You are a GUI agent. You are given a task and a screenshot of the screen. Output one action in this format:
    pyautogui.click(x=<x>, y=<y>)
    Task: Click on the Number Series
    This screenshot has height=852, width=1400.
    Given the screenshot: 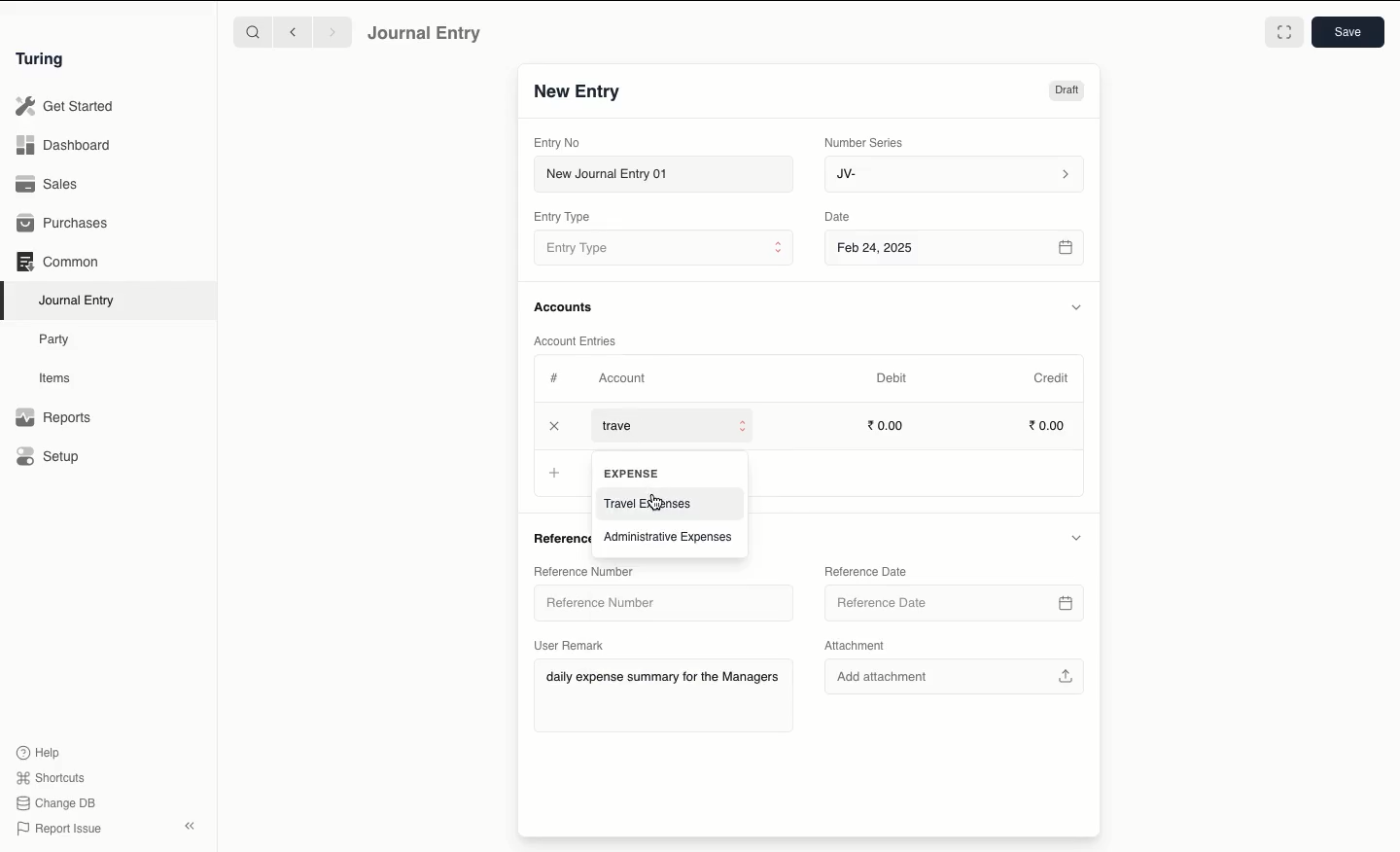 What is the action you would take?
    pyautogui.click(x=867, y=143)
    